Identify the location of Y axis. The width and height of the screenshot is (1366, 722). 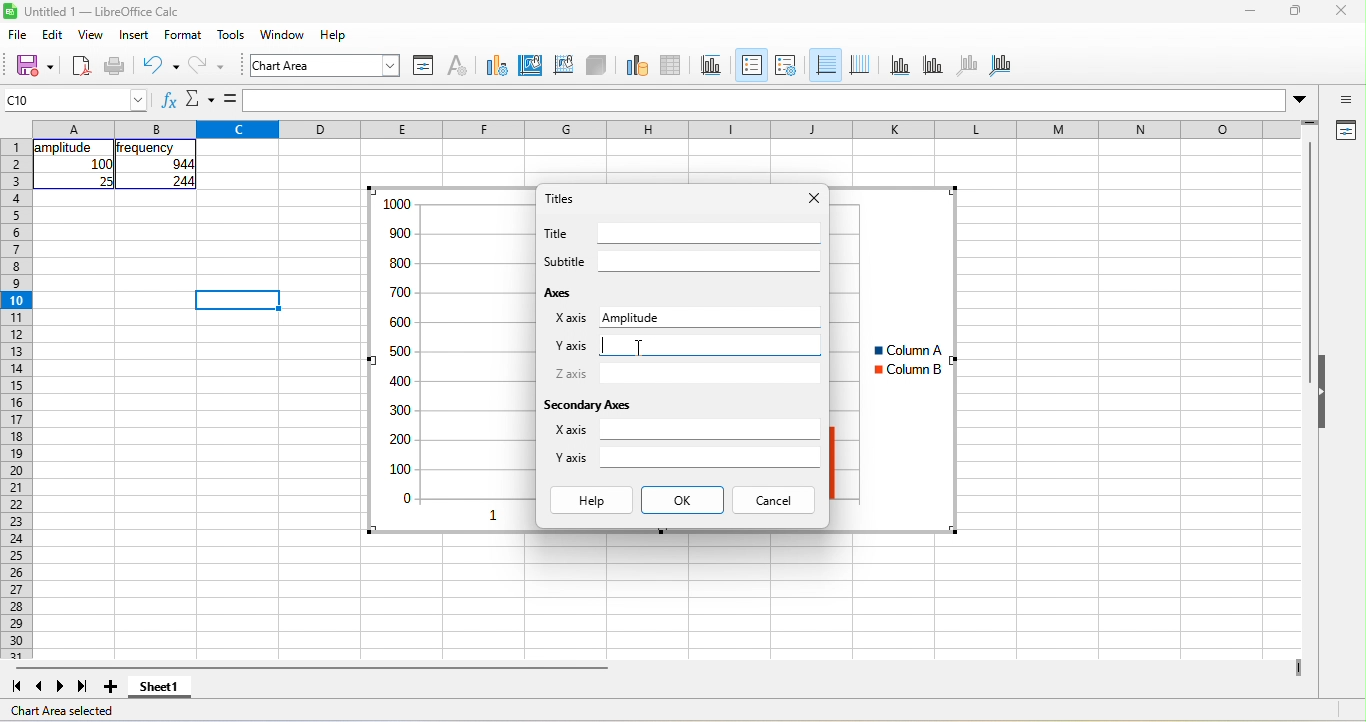
(571, 346).